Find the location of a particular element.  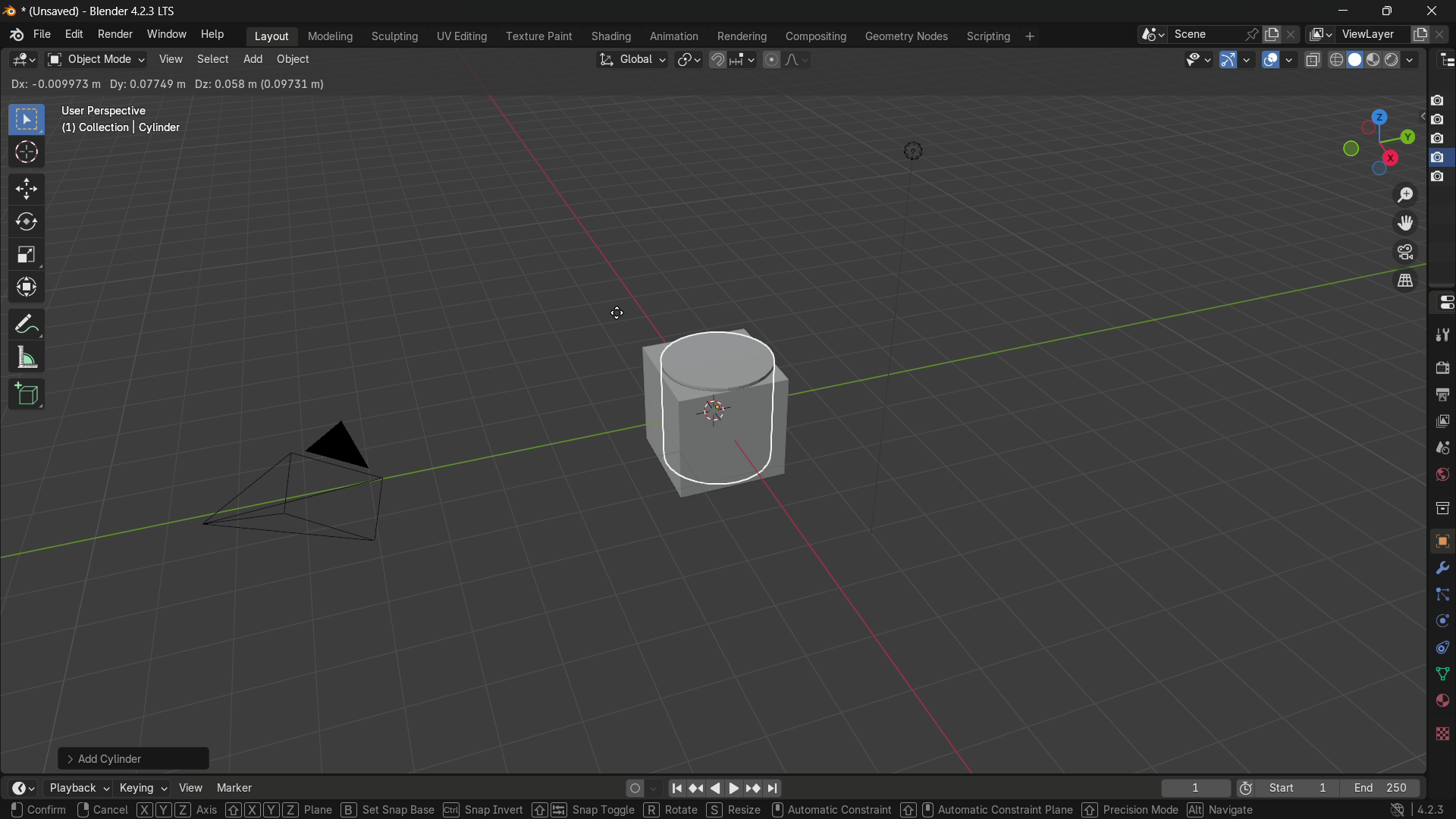

blender logo is located at coordinates (14, 36).